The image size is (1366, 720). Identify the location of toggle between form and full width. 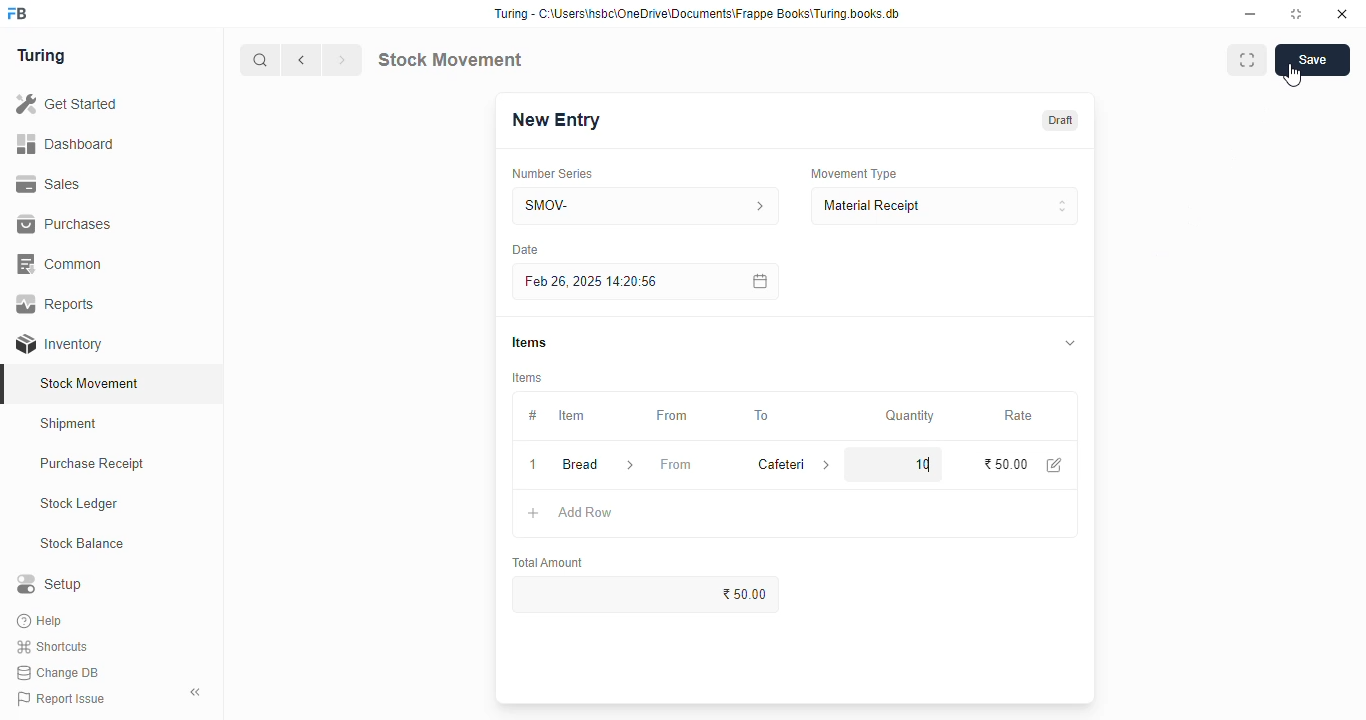
(1247, 60).